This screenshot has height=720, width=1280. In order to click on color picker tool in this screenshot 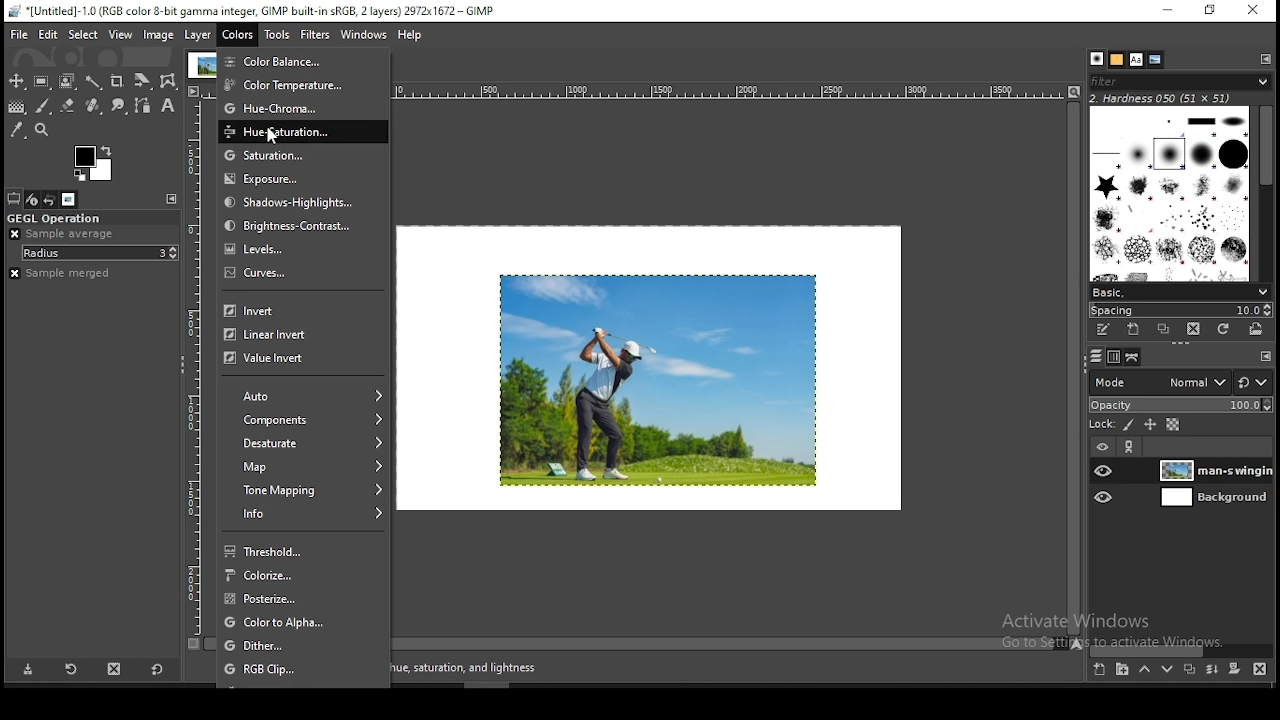, I will do `click(18, 129)`.